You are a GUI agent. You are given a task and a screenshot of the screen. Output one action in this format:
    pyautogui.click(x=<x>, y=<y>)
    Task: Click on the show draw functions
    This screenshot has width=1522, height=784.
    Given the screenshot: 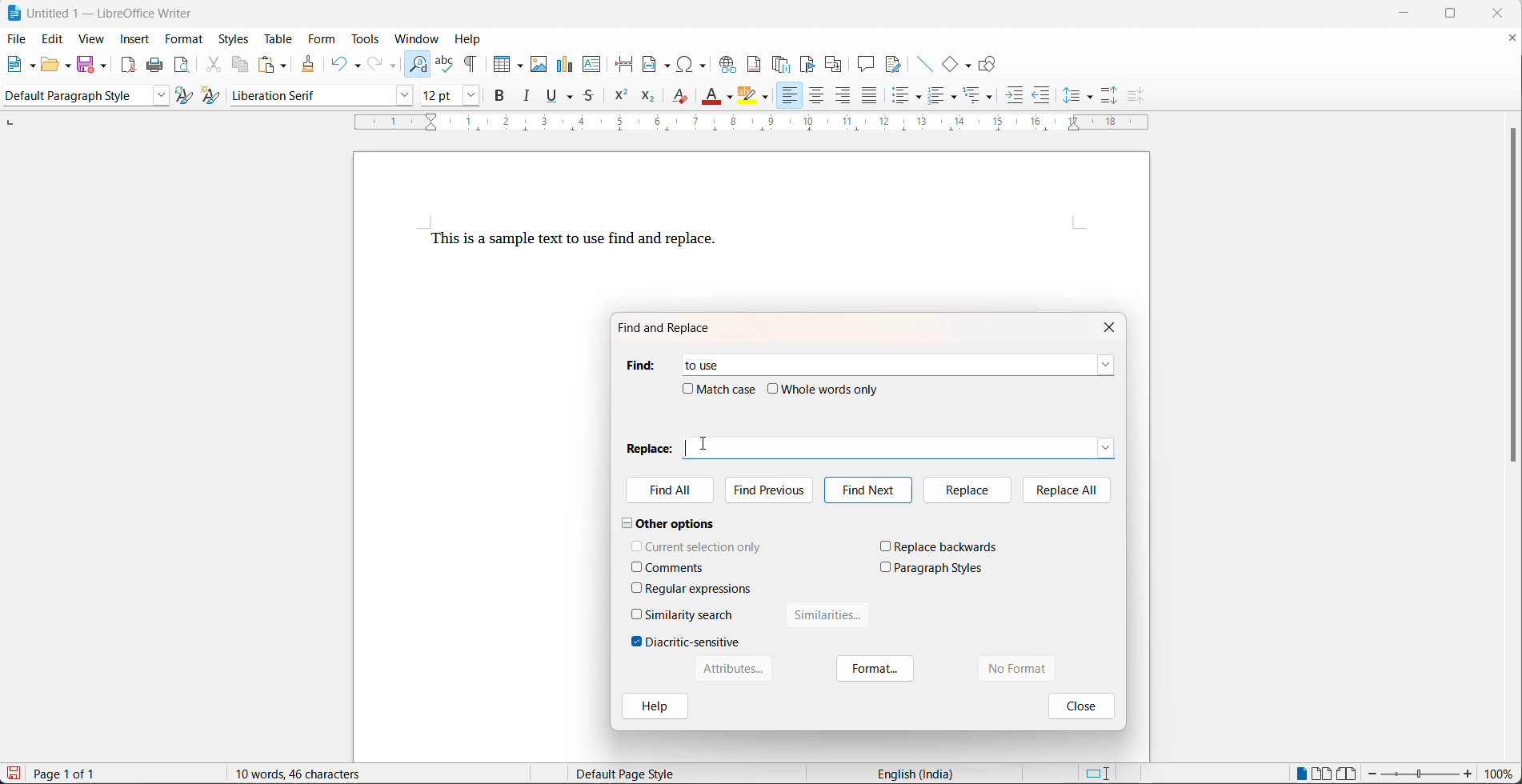 What is the action you would take?
    pyautogui.click(x=989, y=64)
    